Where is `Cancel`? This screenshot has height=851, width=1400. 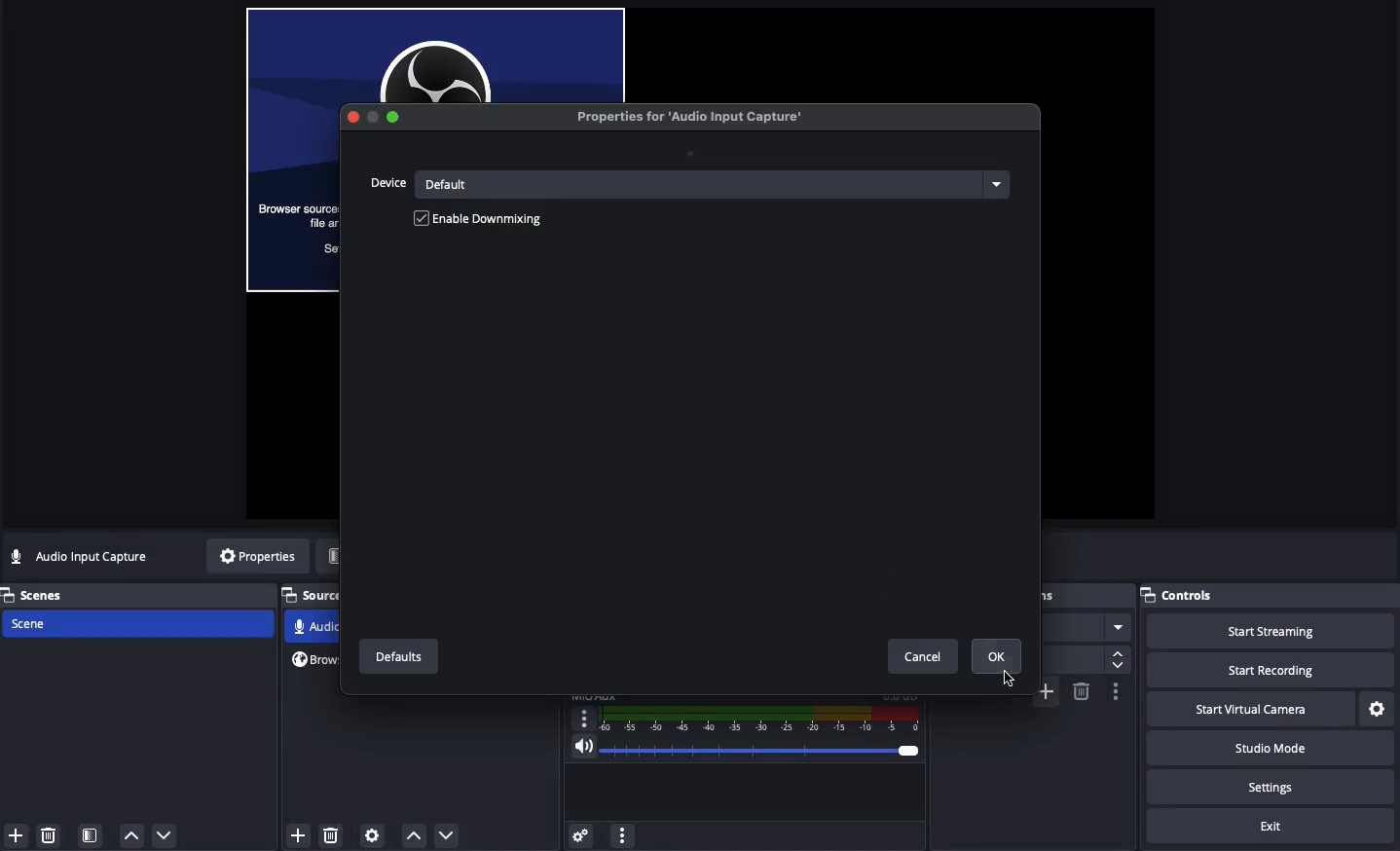
Cancel is located at coordinates (925, 656).